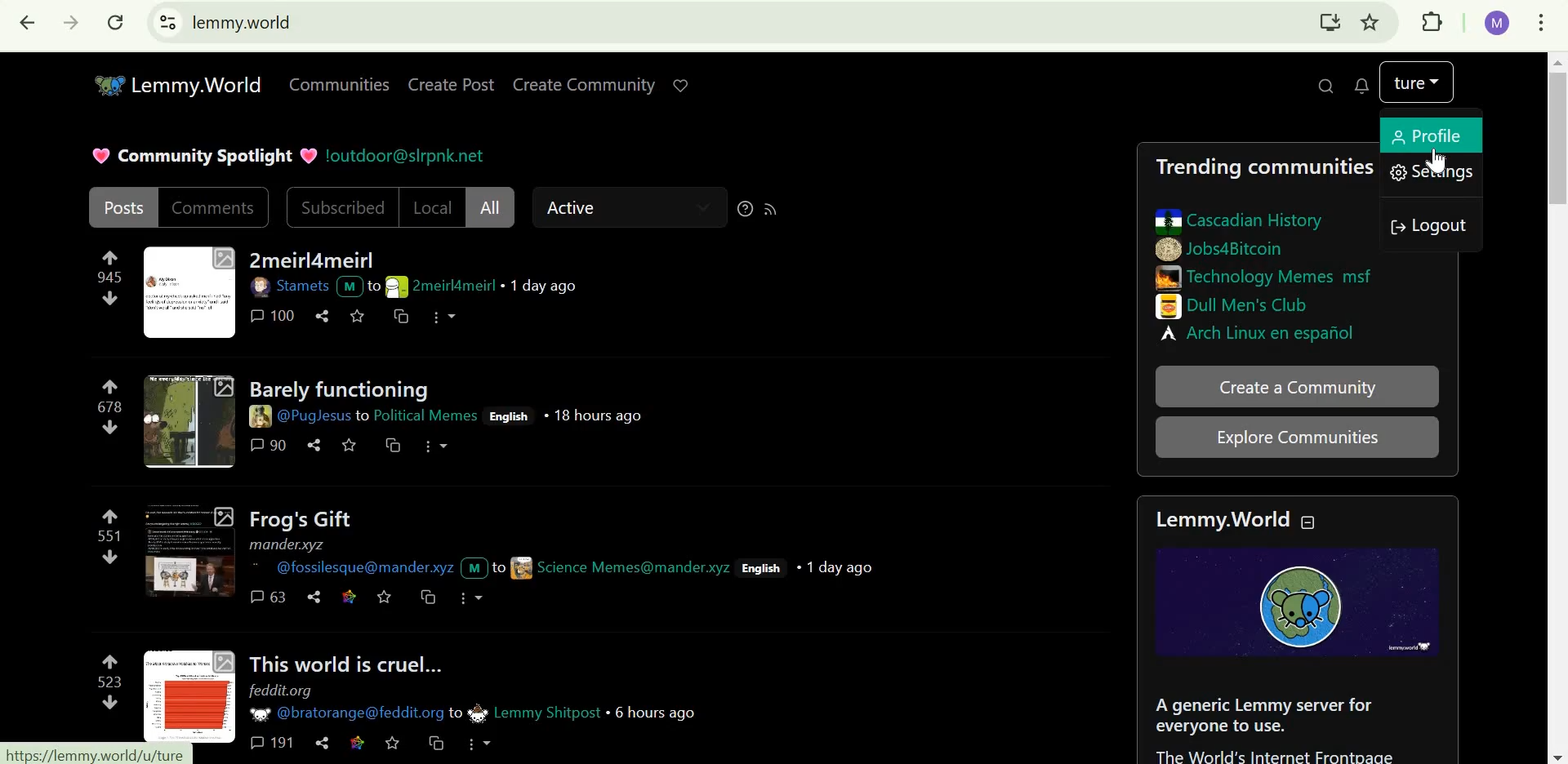 This screenshot has width=1568, height=764. I want to click on thumbnail-1, so click(189, 293).